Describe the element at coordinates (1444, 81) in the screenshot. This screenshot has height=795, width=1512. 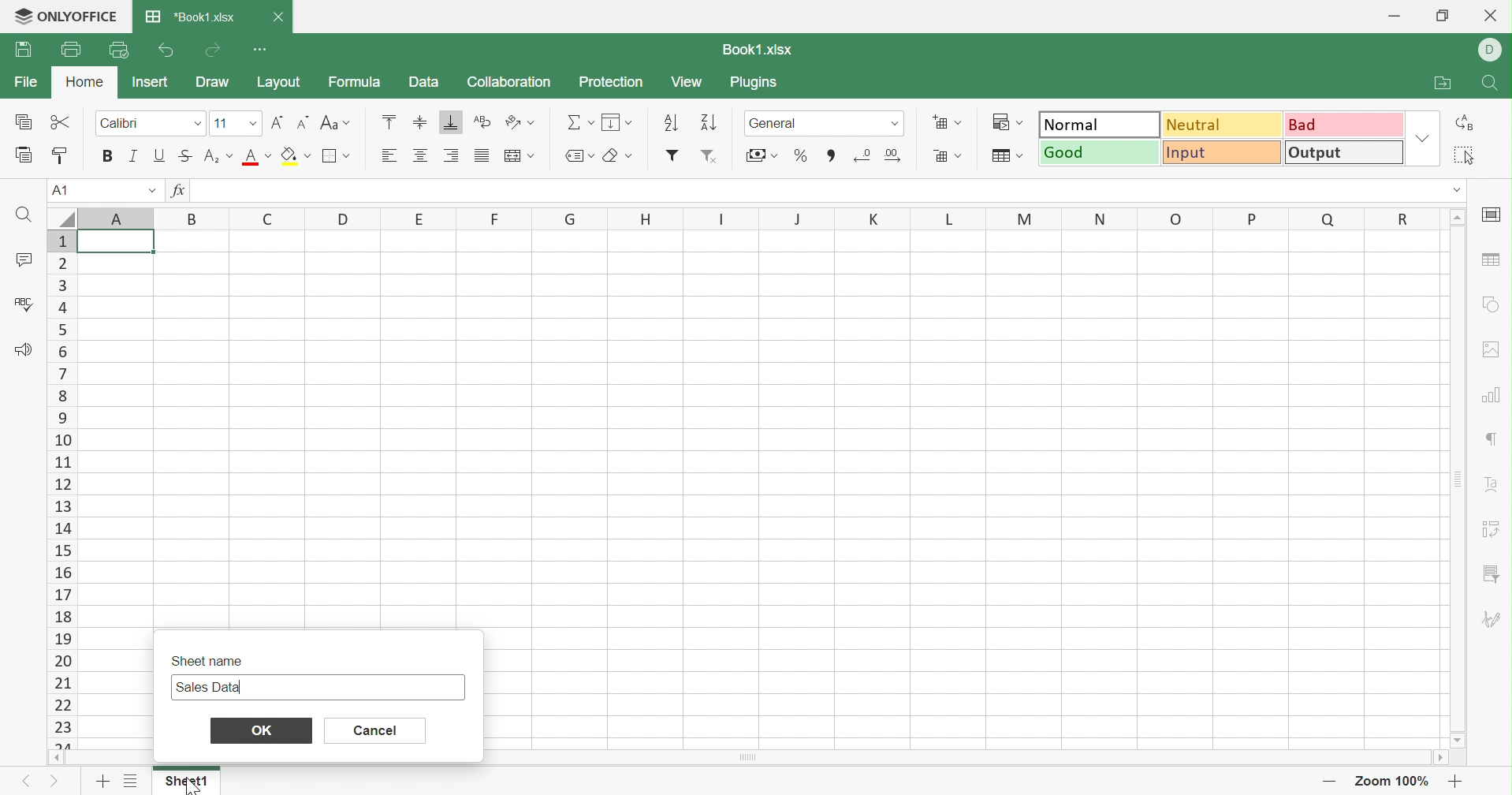
I see `Open file location` at that location.